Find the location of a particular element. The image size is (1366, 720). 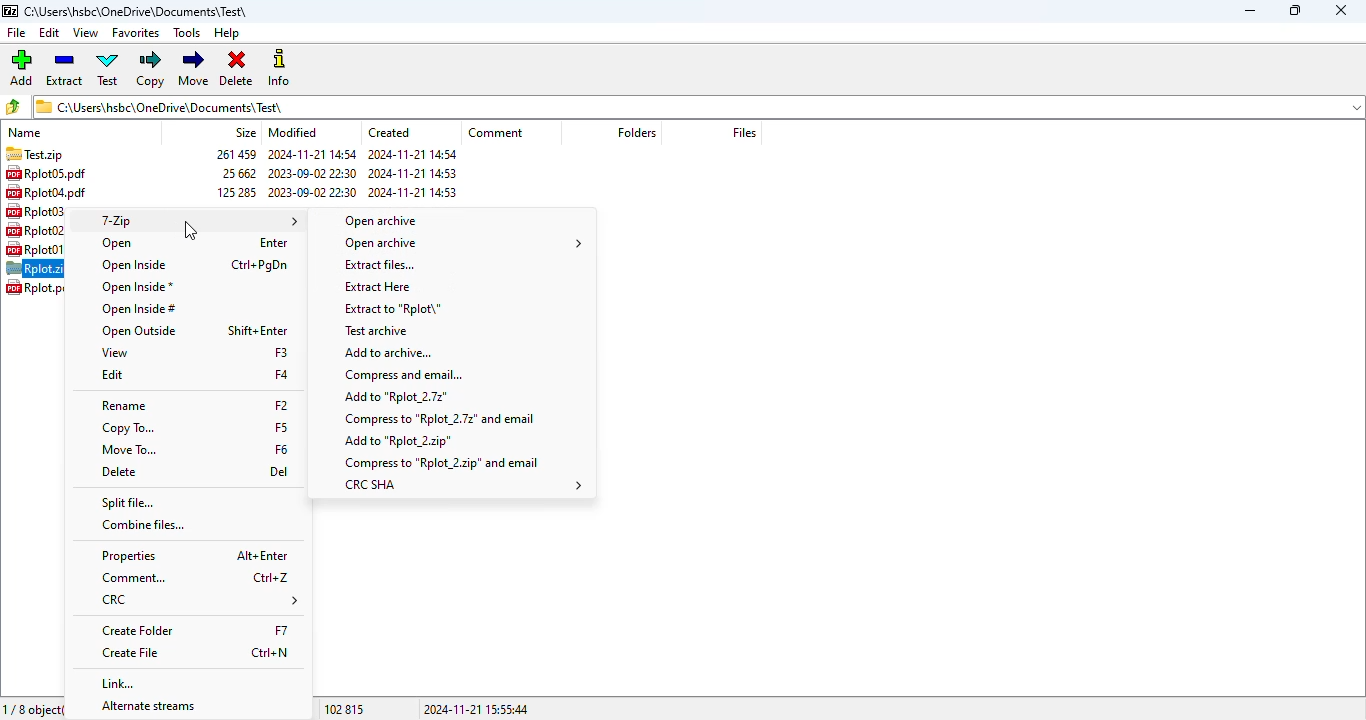

split file is located at coordinates (129, 501).